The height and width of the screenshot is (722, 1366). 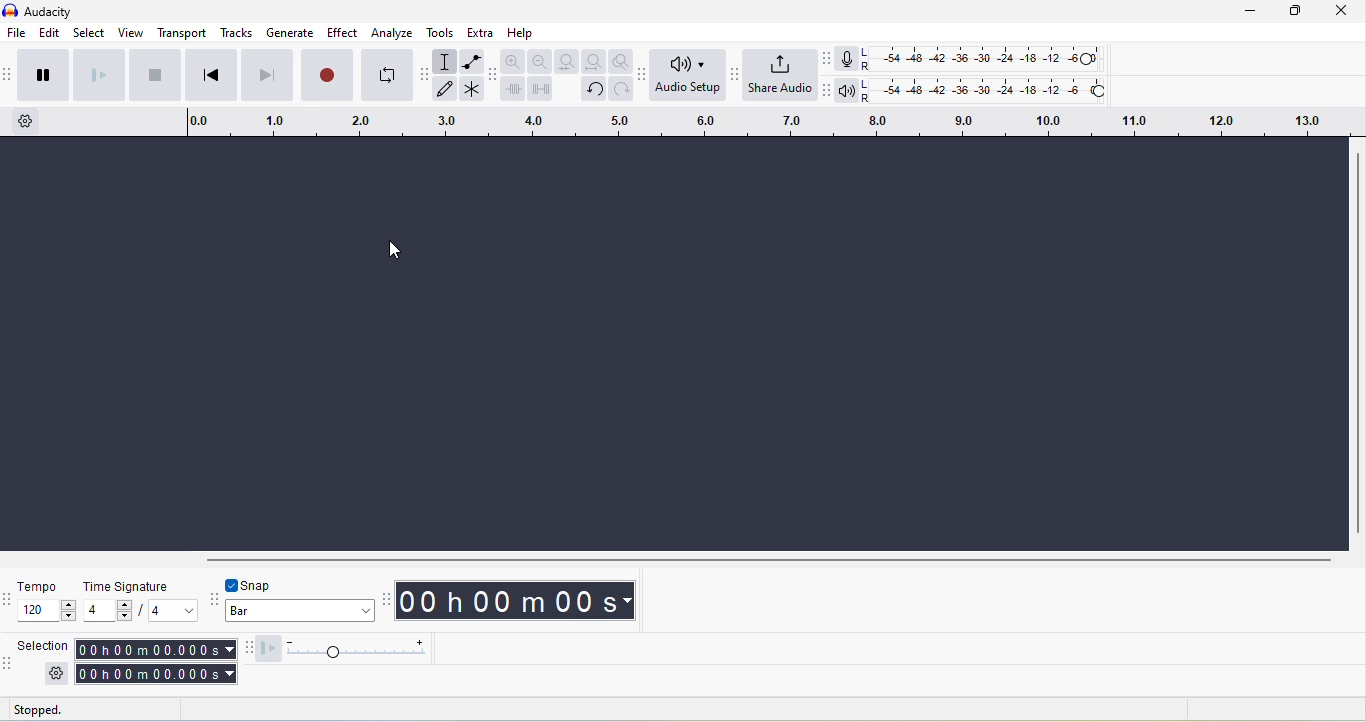 What do you see at coordinates (9, 661) in the screenshot?
I see `audacity selection toolbar` at bounding box center [9, 661].